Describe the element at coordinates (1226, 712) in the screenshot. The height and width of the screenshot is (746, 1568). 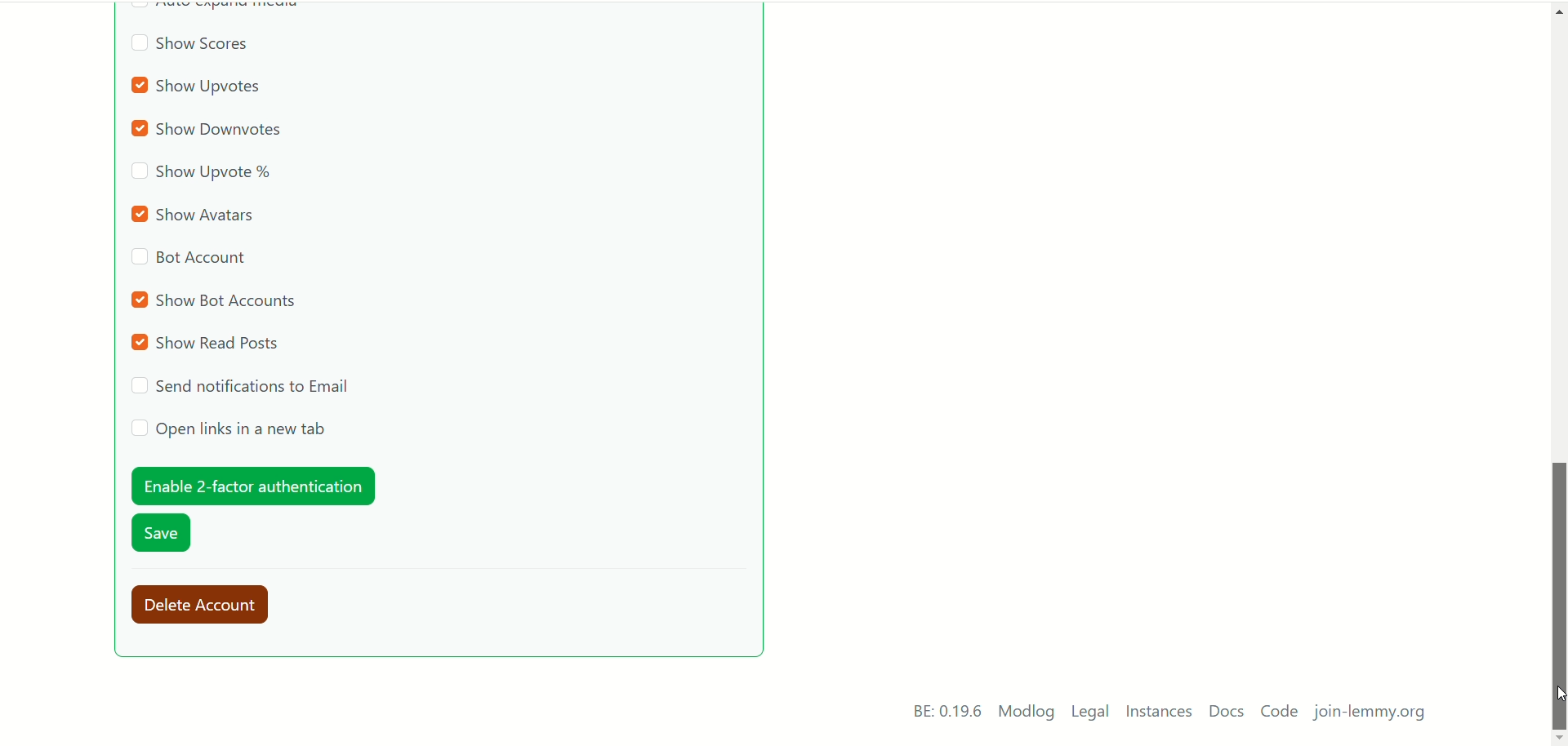
I see `docs` at that location.